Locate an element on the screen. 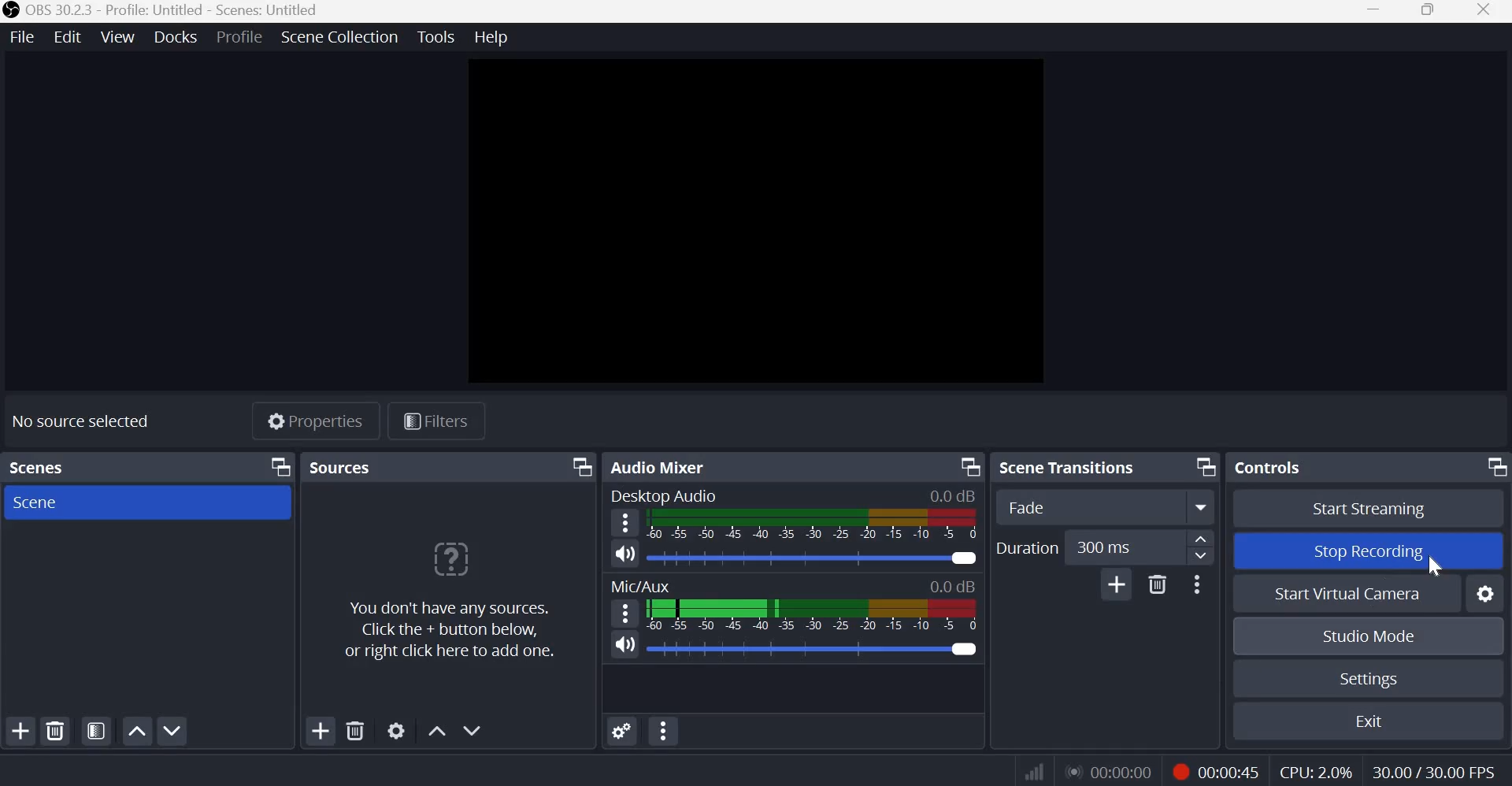  More options is located at coordinates (1199, 586).